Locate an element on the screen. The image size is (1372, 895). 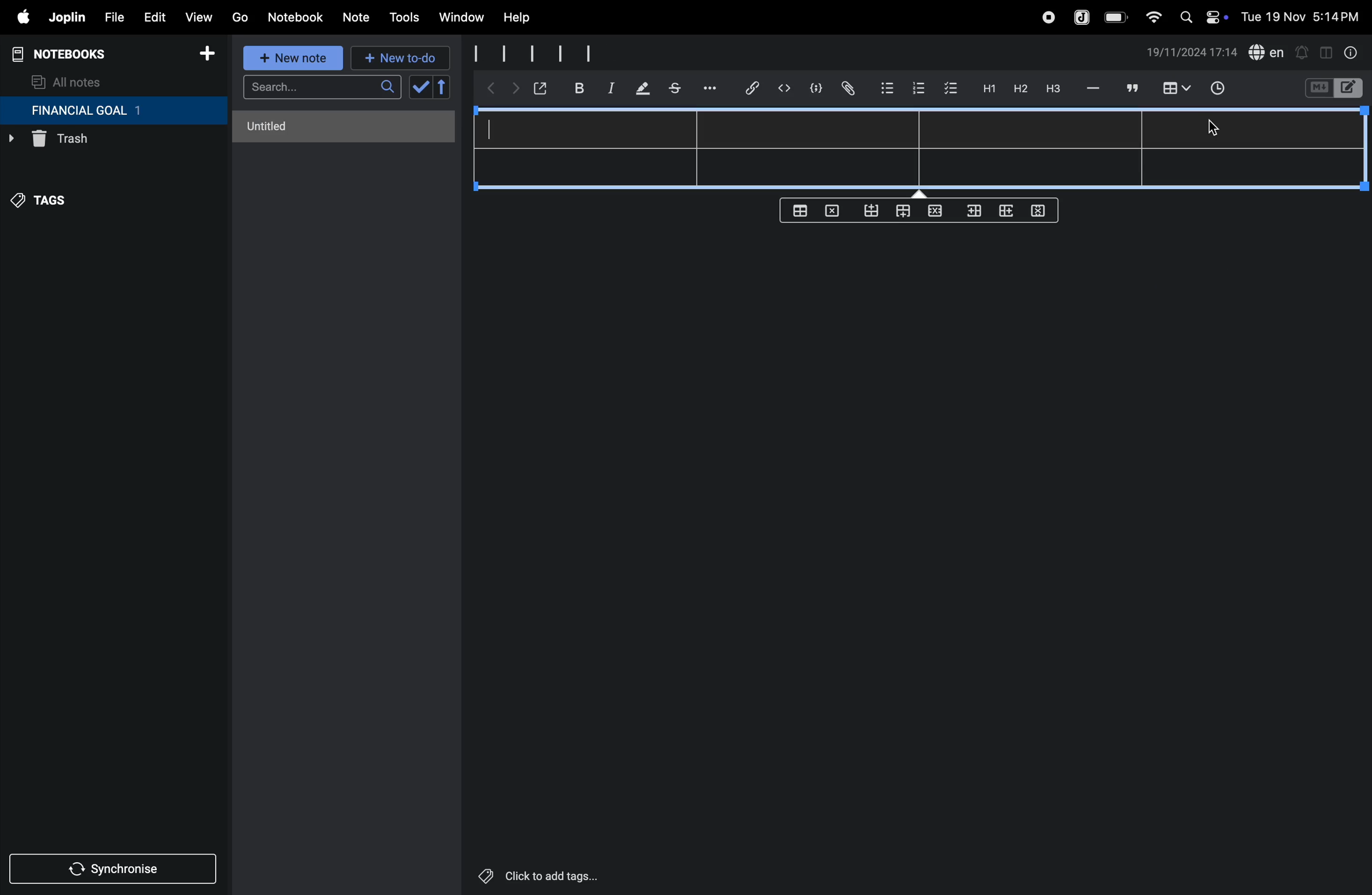
tags is located at coordinates (47, 206).